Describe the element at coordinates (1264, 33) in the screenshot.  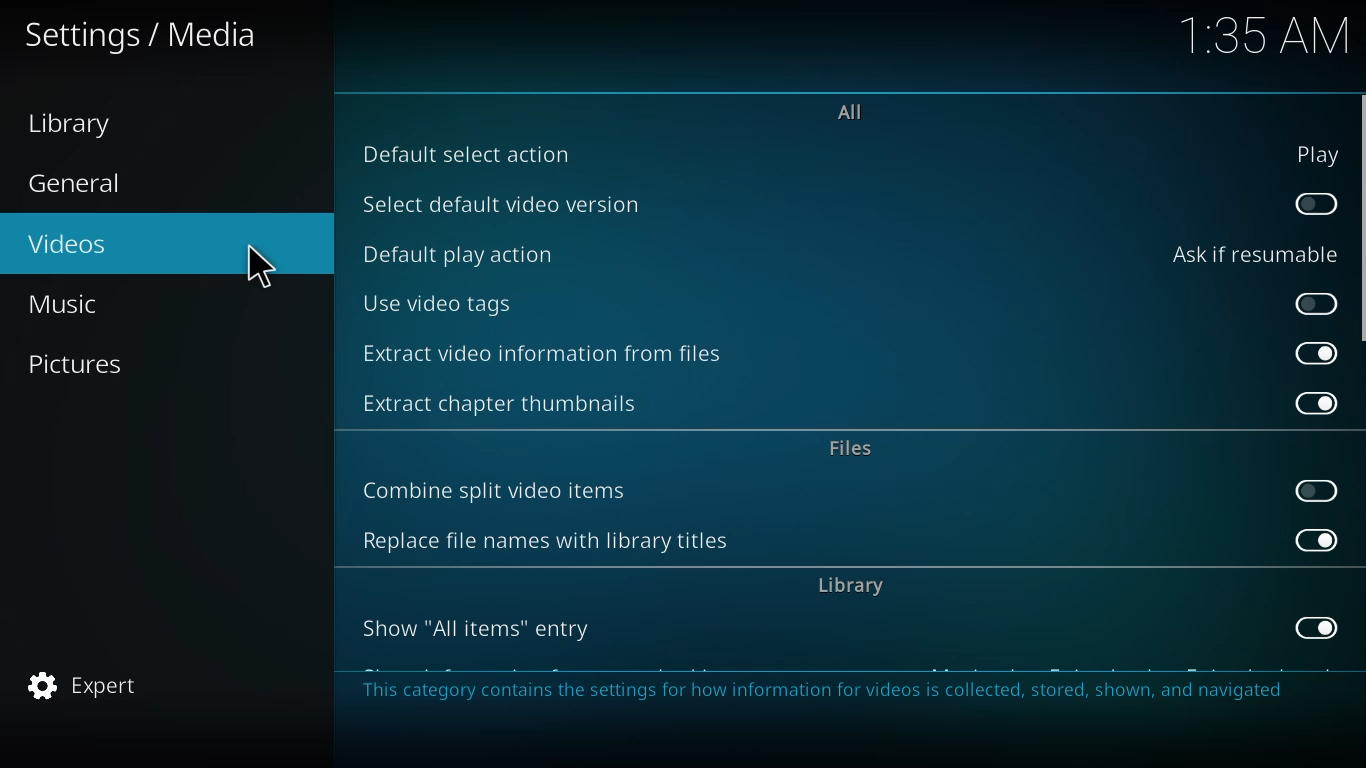
I see `time` at that location.